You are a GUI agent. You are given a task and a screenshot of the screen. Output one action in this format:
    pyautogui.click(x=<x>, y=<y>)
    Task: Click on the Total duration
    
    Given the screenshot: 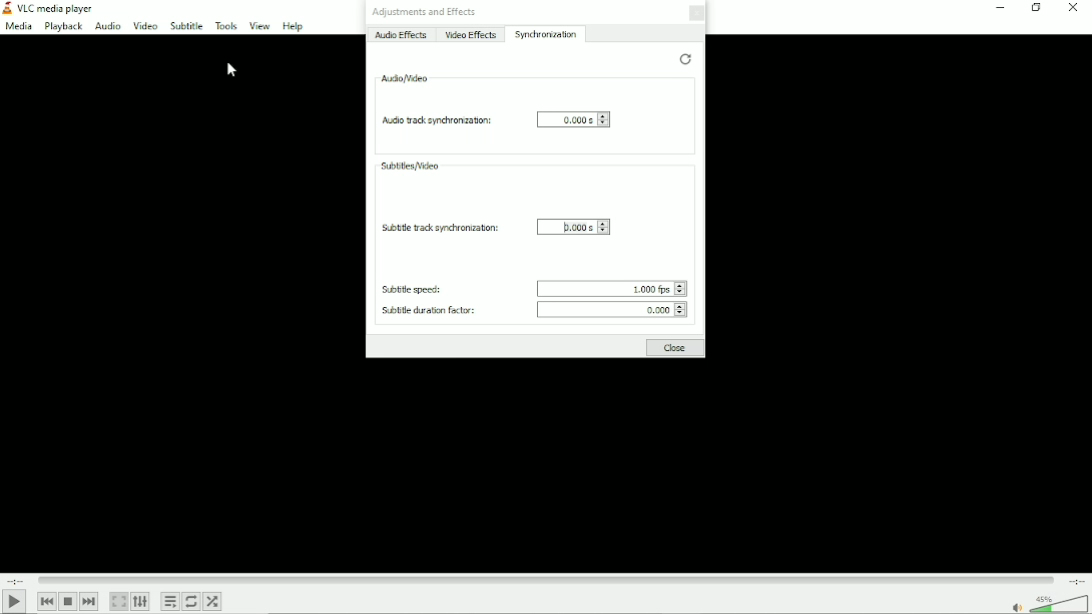 What is the action you would take?
    pyautogui.click(x=1076, y=579)
    